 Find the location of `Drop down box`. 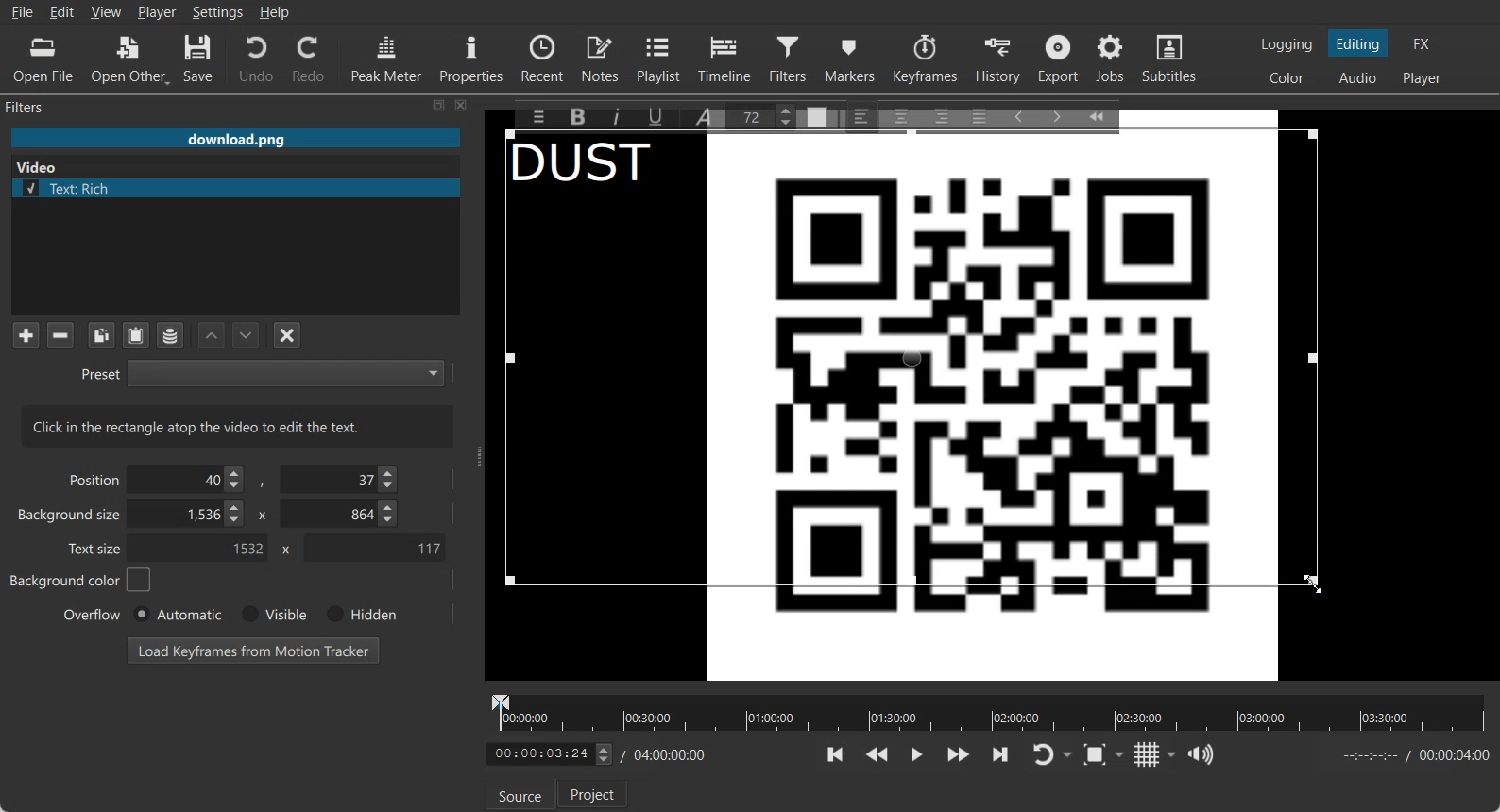

Drop down box is located at coordinates (1172, 754).